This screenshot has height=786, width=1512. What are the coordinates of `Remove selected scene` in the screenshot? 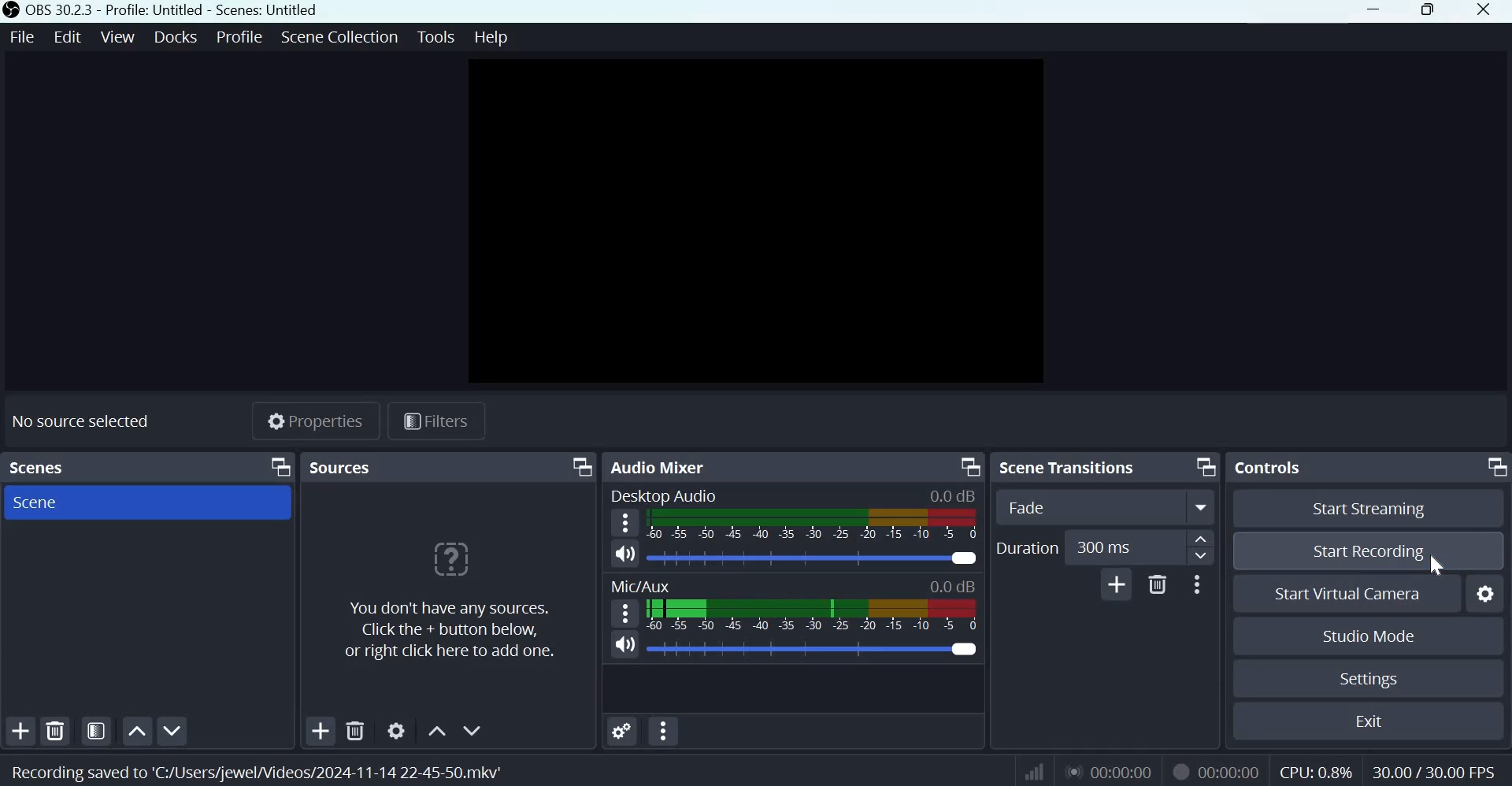 It's located at (59, 729).